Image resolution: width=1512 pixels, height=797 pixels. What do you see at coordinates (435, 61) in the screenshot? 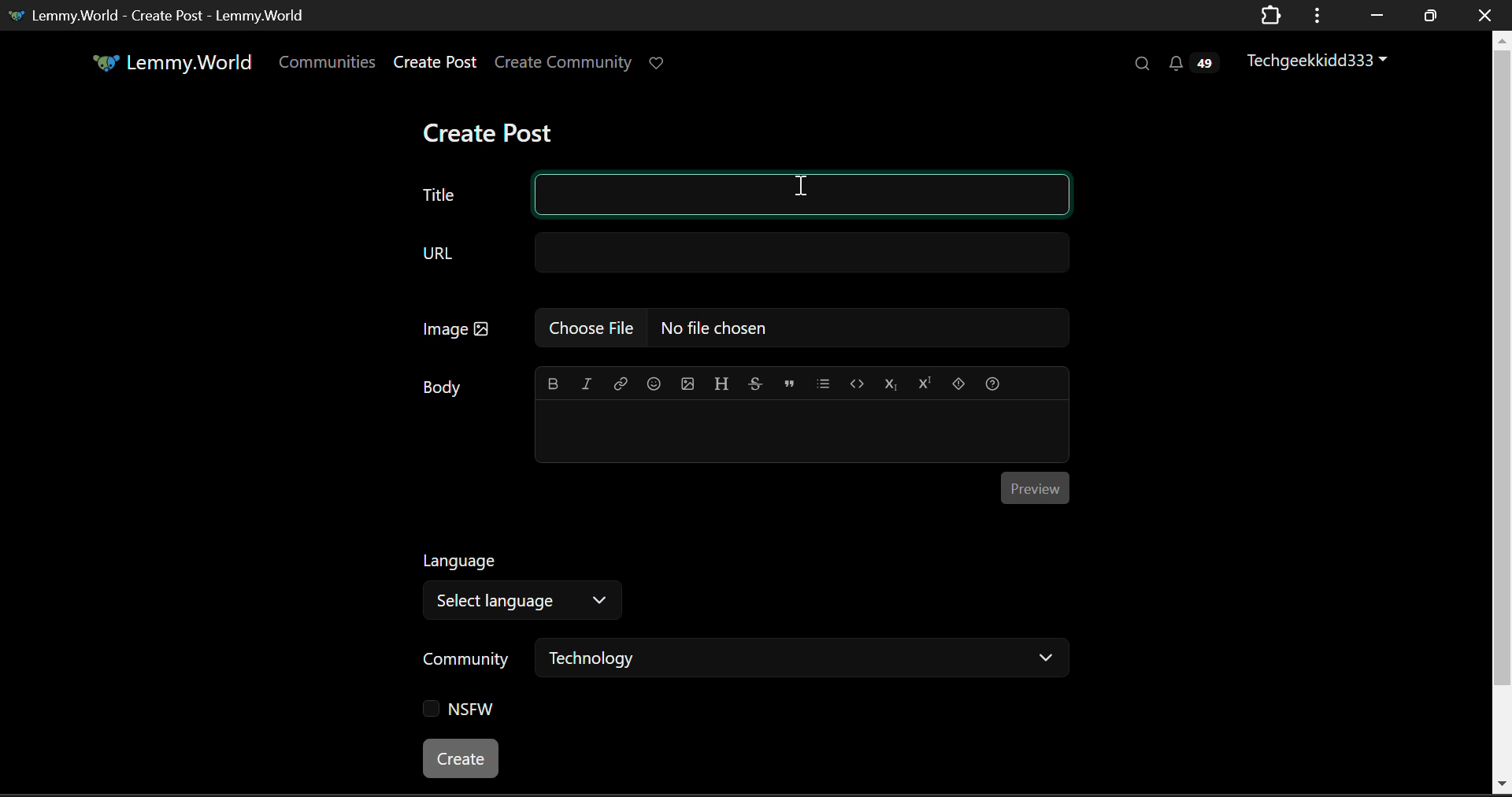
I see `Create Post Page Link` at bounding box center [435, 61].